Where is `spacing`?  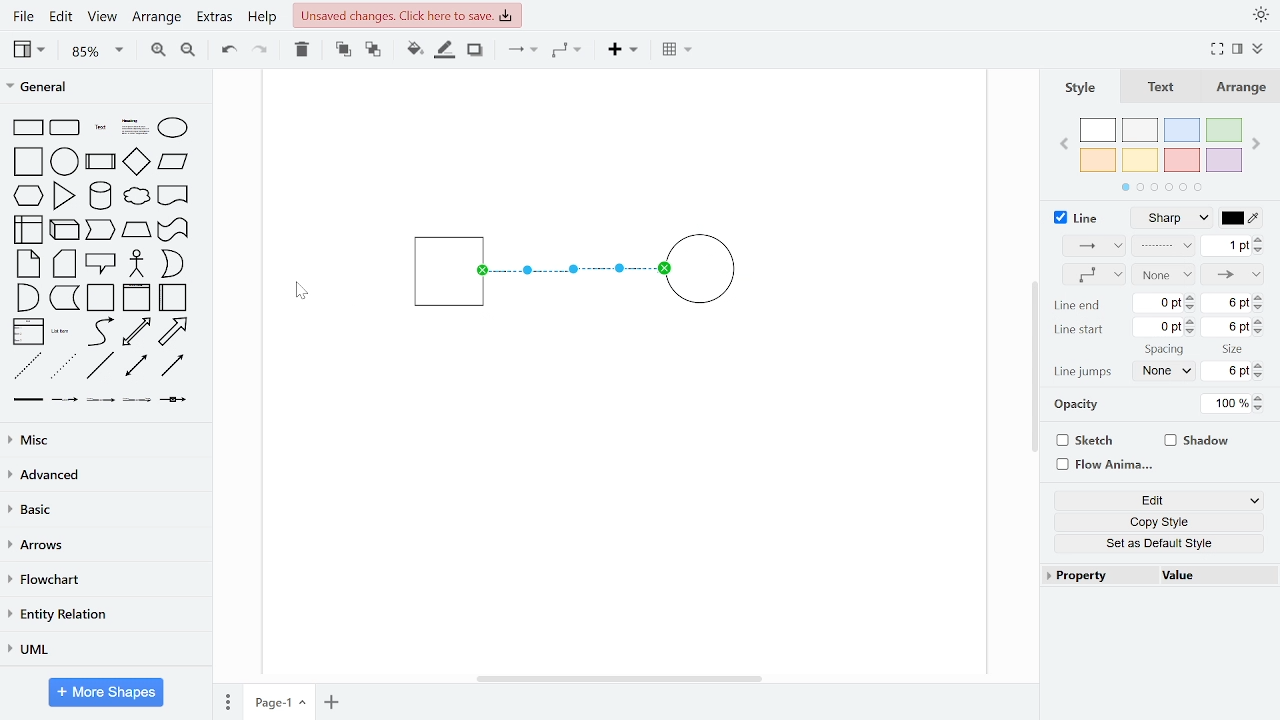 spacing is located at coordinates (1166, 350).